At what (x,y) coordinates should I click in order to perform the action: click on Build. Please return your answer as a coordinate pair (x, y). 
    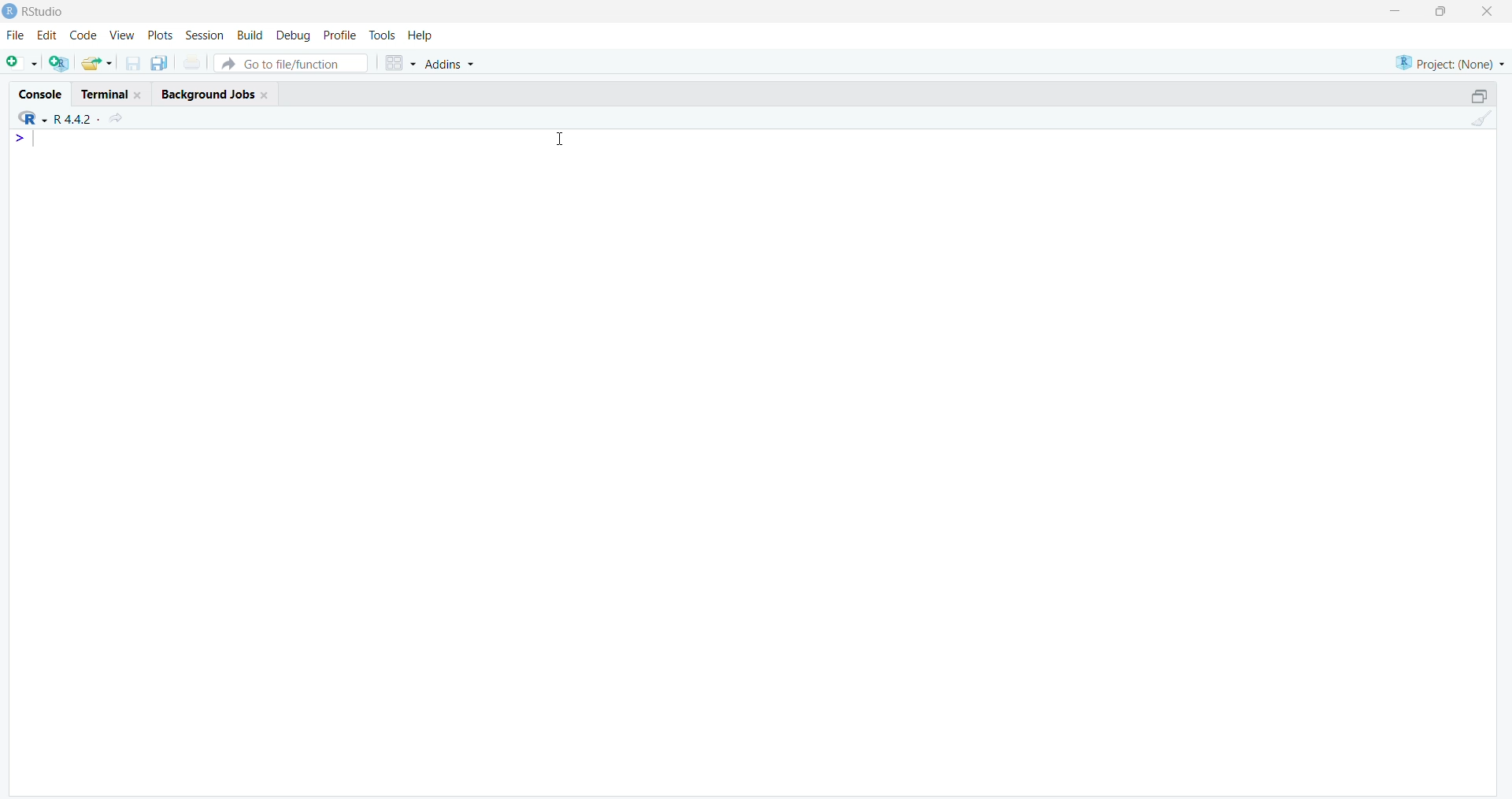
    Looking at the image, I should click on (246, 36).